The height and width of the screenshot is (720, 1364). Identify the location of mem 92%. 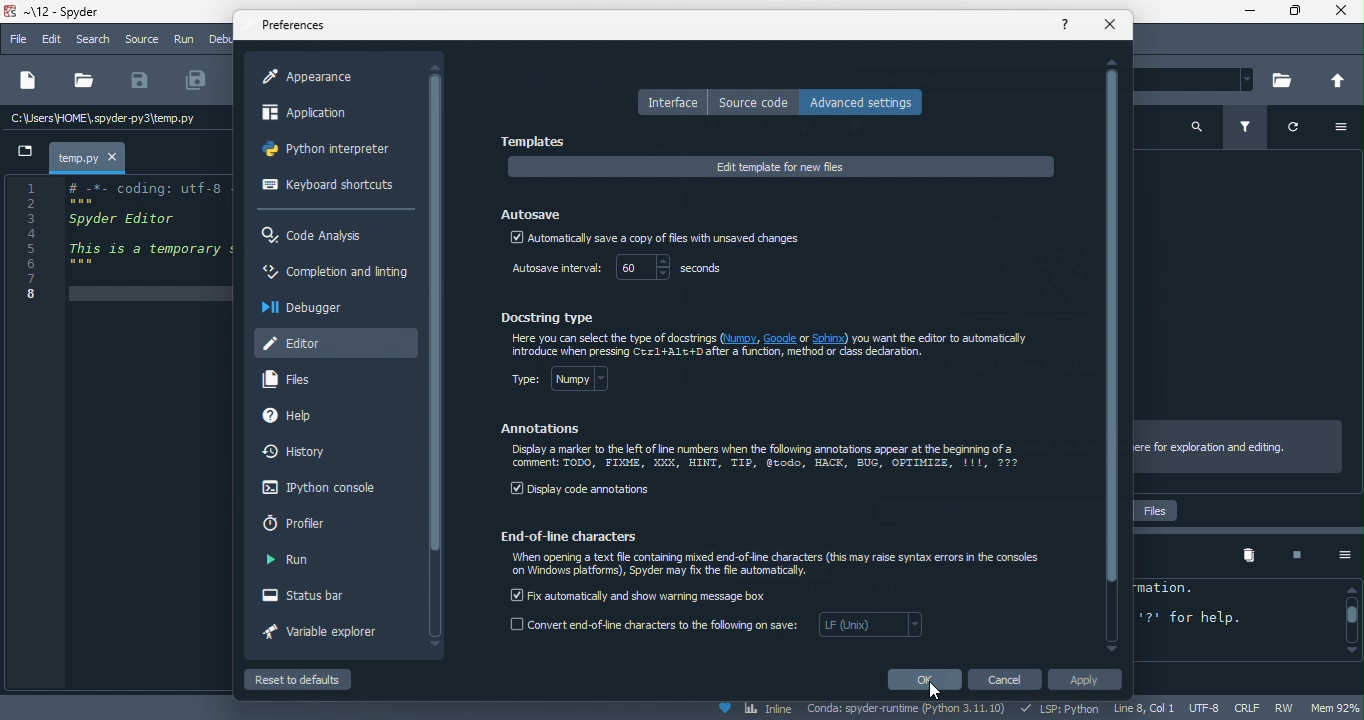
(1337, 707).